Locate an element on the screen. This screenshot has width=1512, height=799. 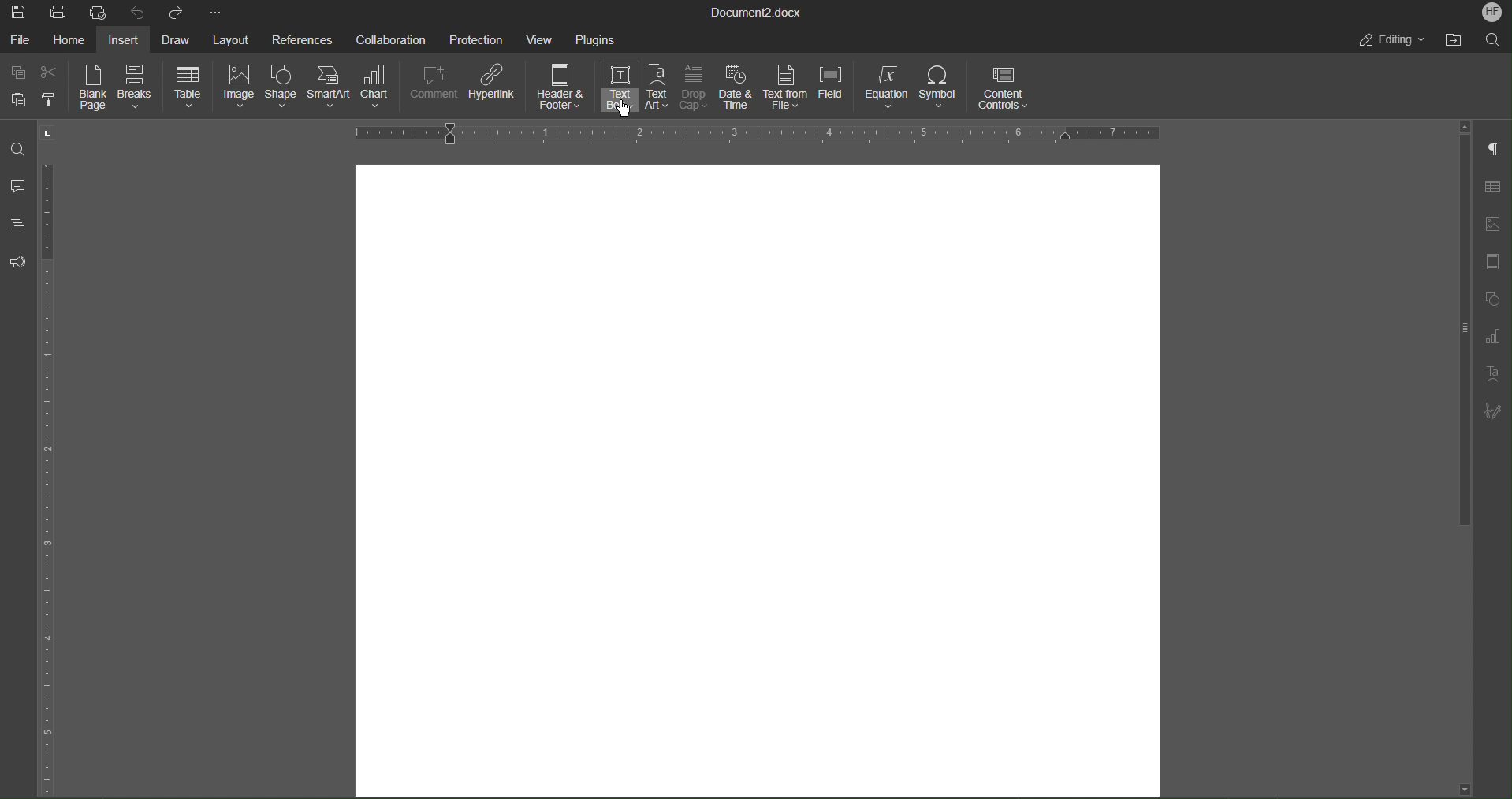
Feedback and Support is located at coordinates (17, 262).